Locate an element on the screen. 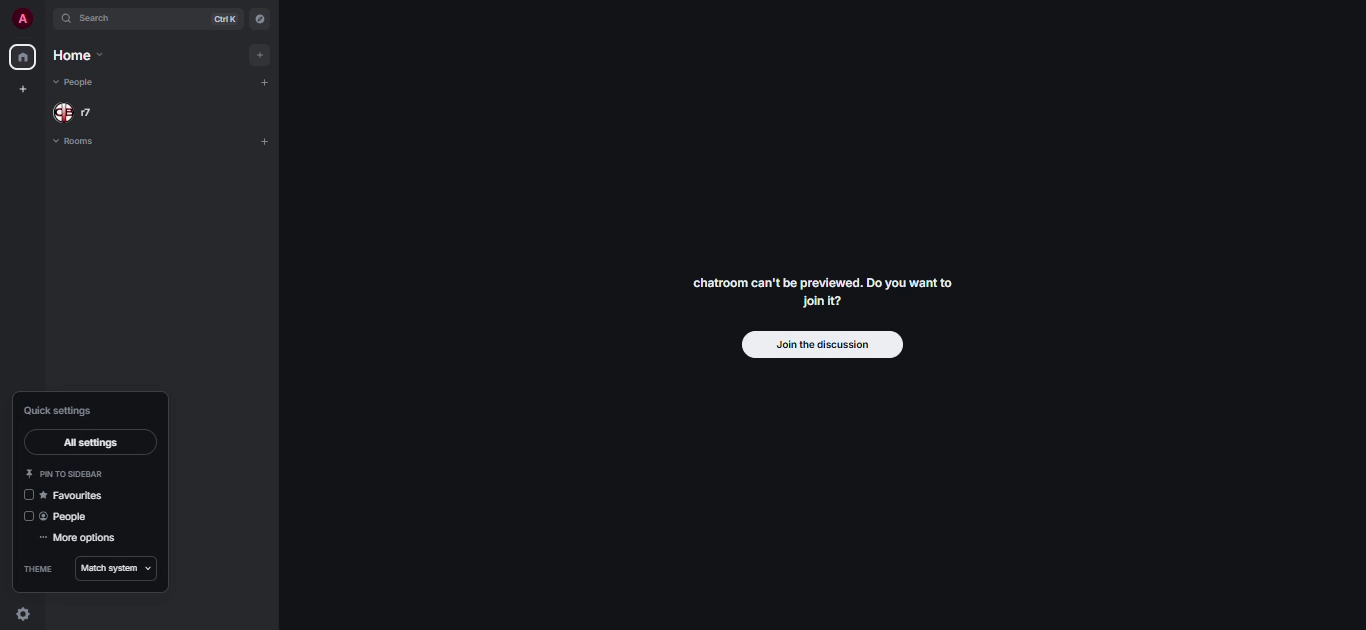 The height and width of the screenshot is (630, 1366). search is located at coordinates (96, 19).